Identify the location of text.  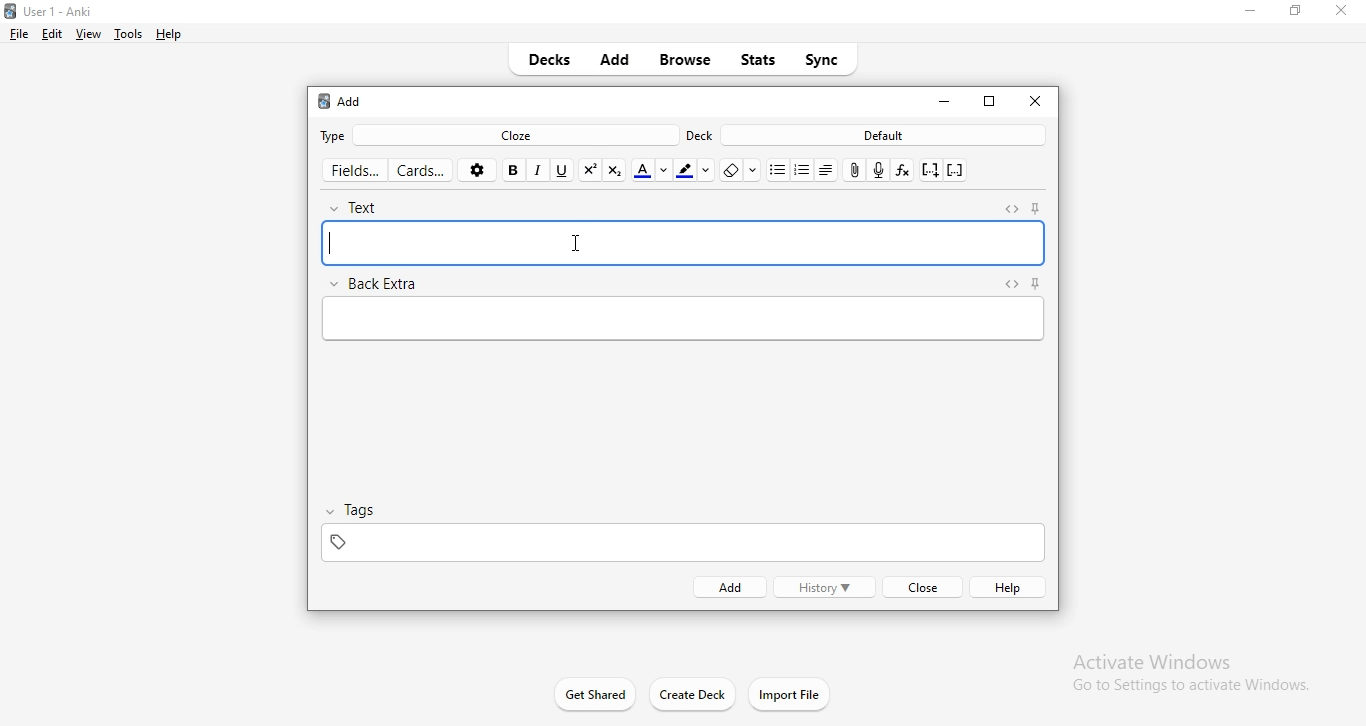
(367, 204).